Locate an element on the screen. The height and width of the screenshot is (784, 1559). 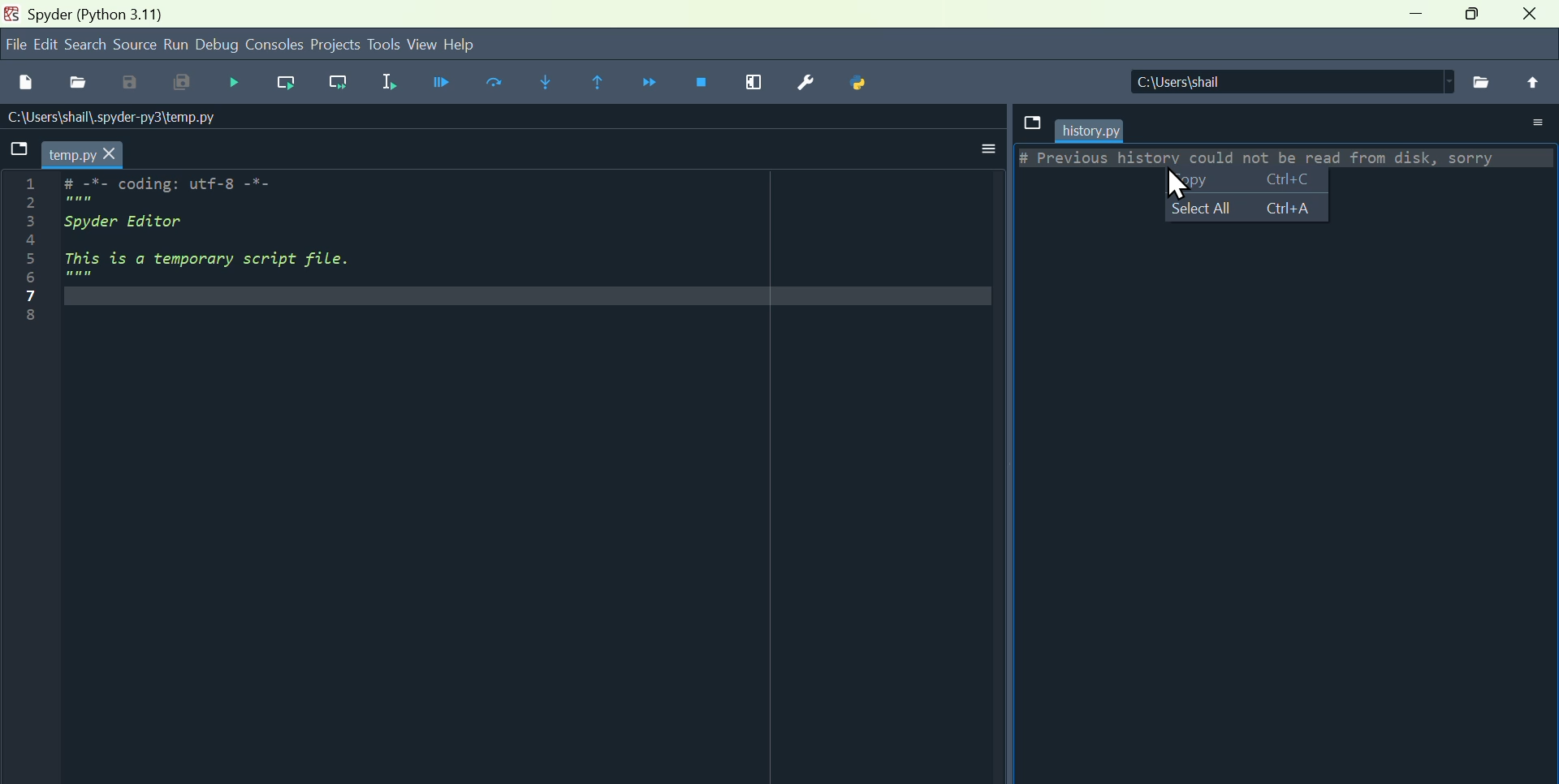
save is located at coordinates (129, 84).